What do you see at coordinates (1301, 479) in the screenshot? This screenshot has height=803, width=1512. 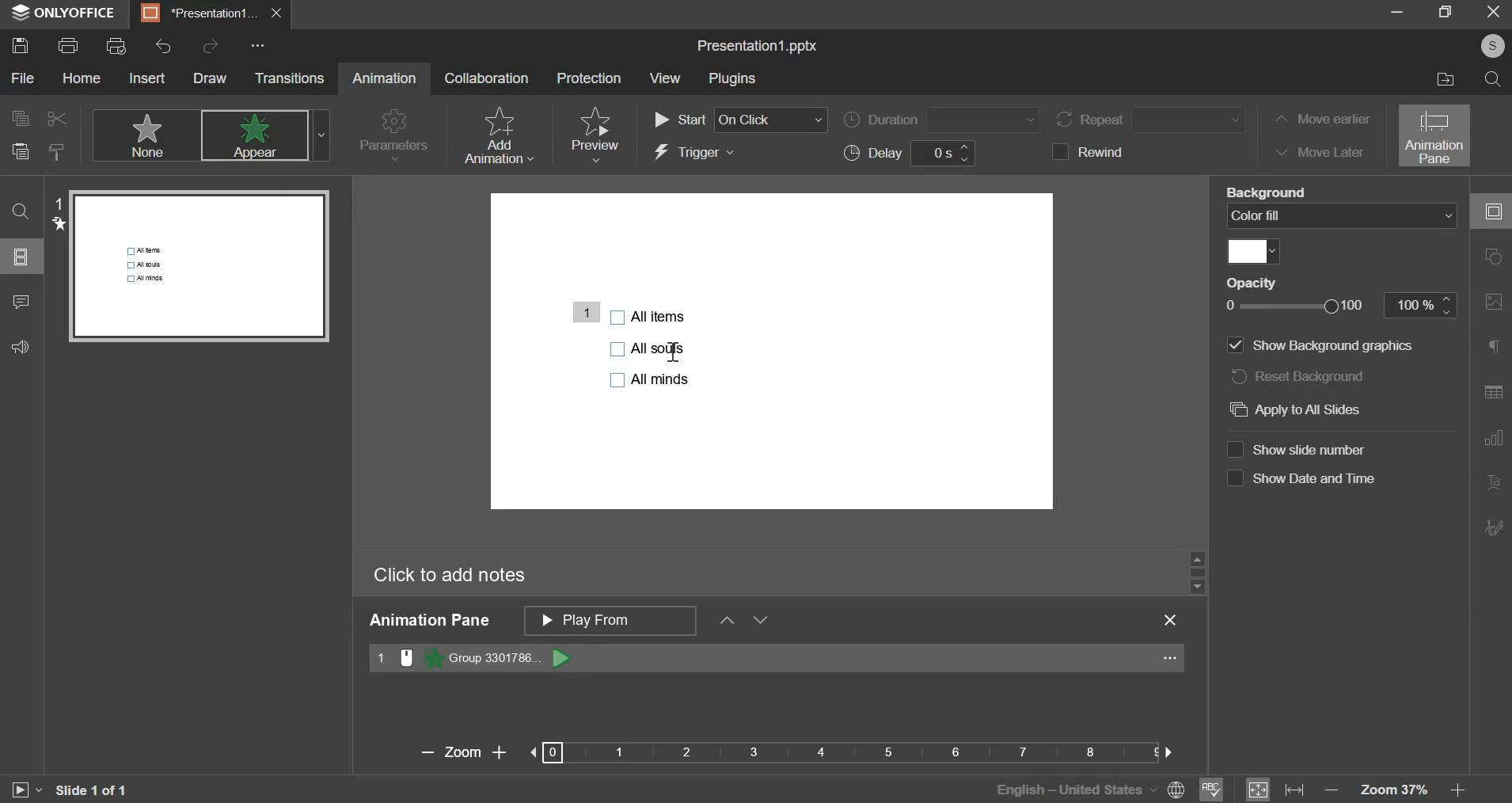 I see `show date and time` at bounding box center [1301, 479].